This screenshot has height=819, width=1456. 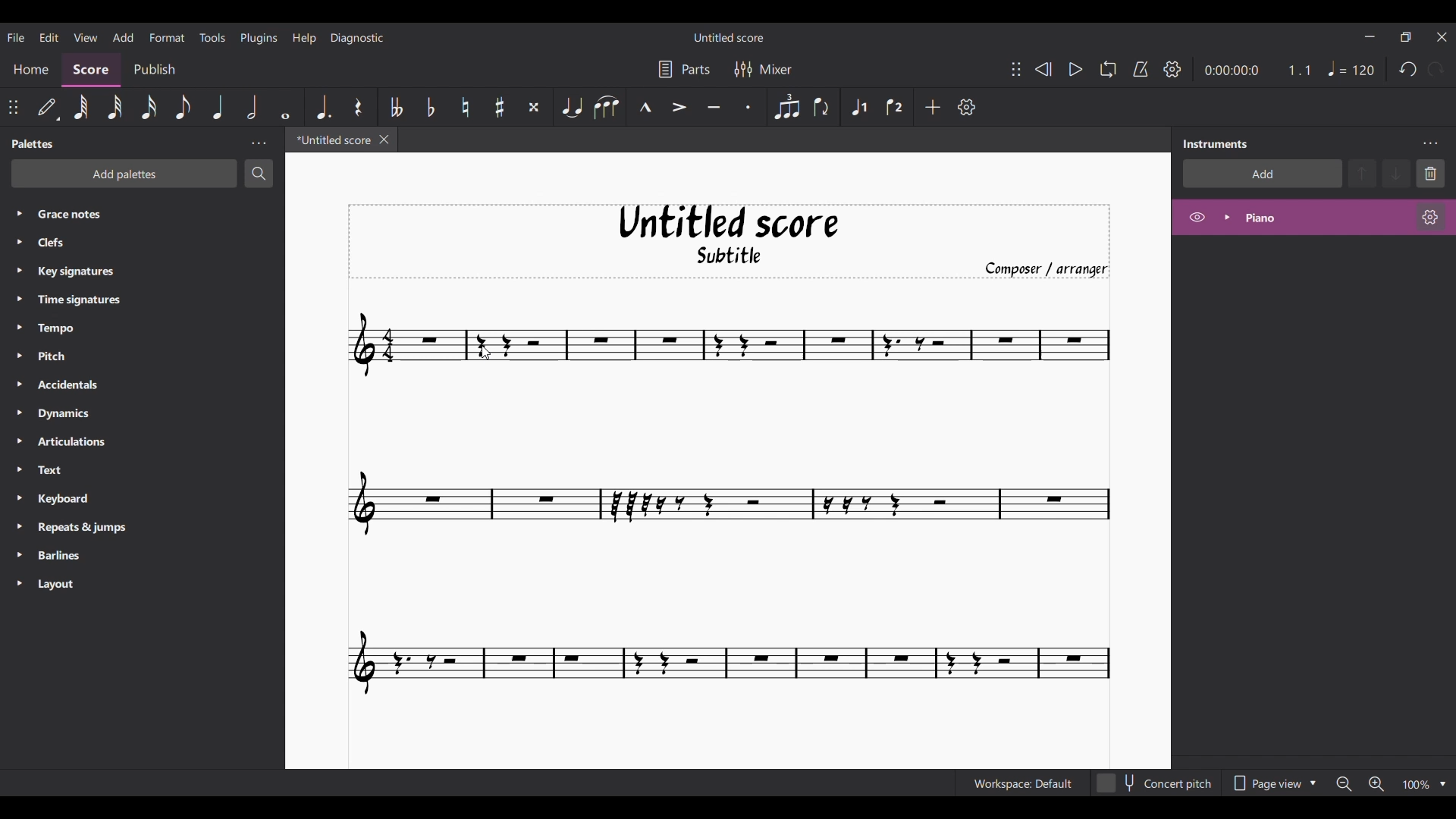 What do you see at coordinates (714, 107) in the screenshot?
I see `Tenuto` at bounding box center [714, 107].